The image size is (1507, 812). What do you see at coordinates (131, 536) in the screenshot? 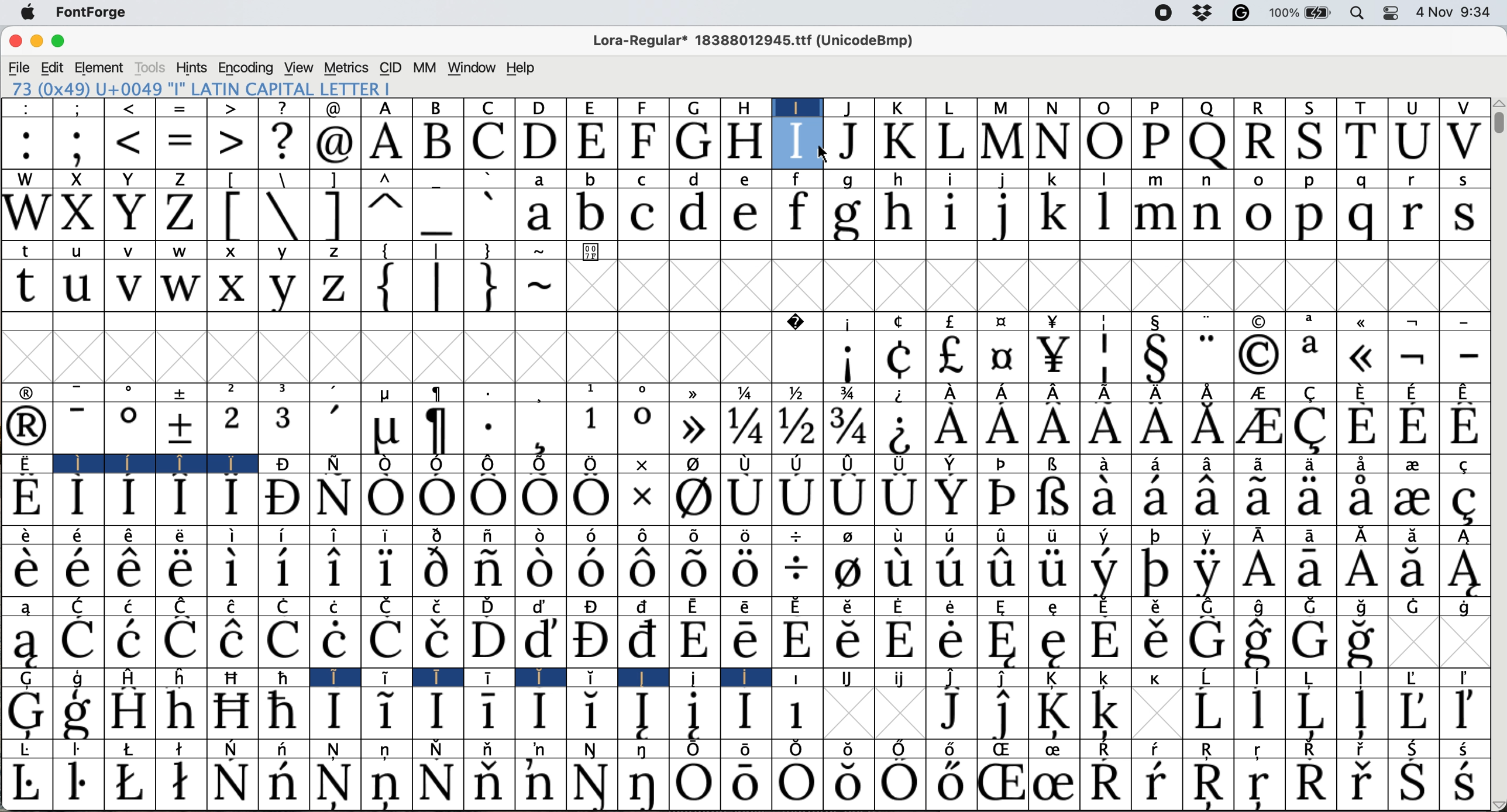
I see `Symbol` at bounding box center [131, 536].